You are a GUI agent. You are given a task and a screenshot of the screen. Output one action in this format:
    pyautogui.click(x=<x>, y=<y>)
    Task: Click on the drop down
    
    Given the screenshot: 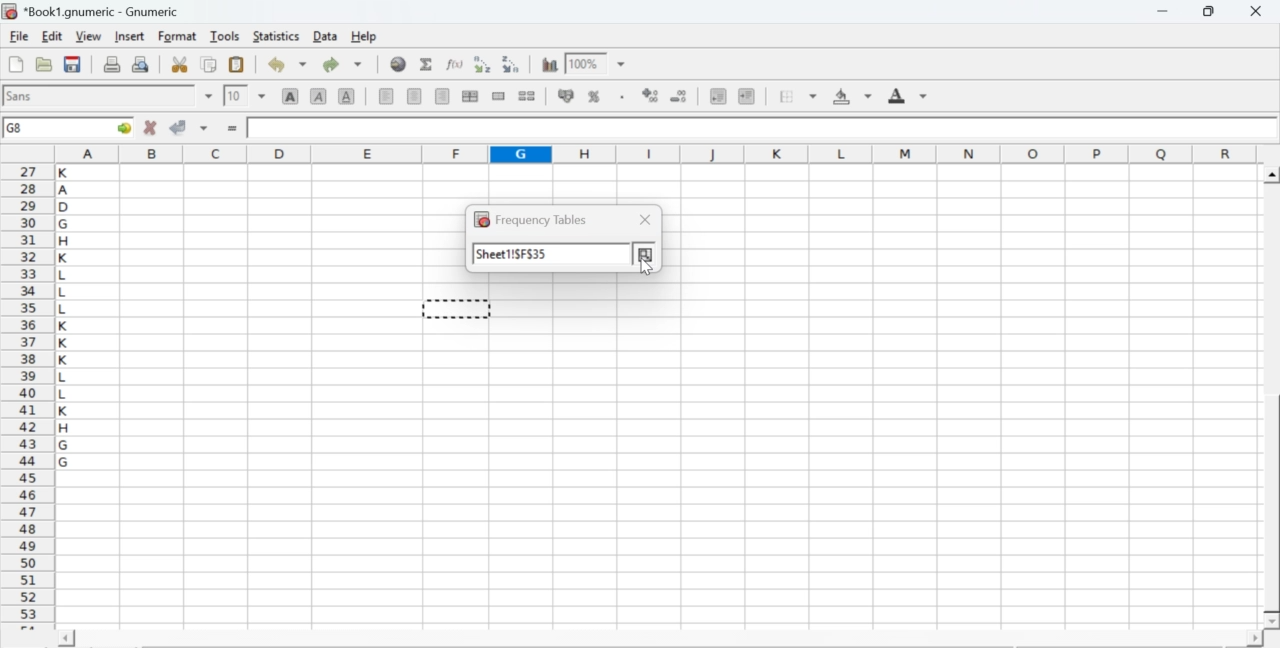 What is the action you would take?
    pyautogui.click(x=210, y=96)
    